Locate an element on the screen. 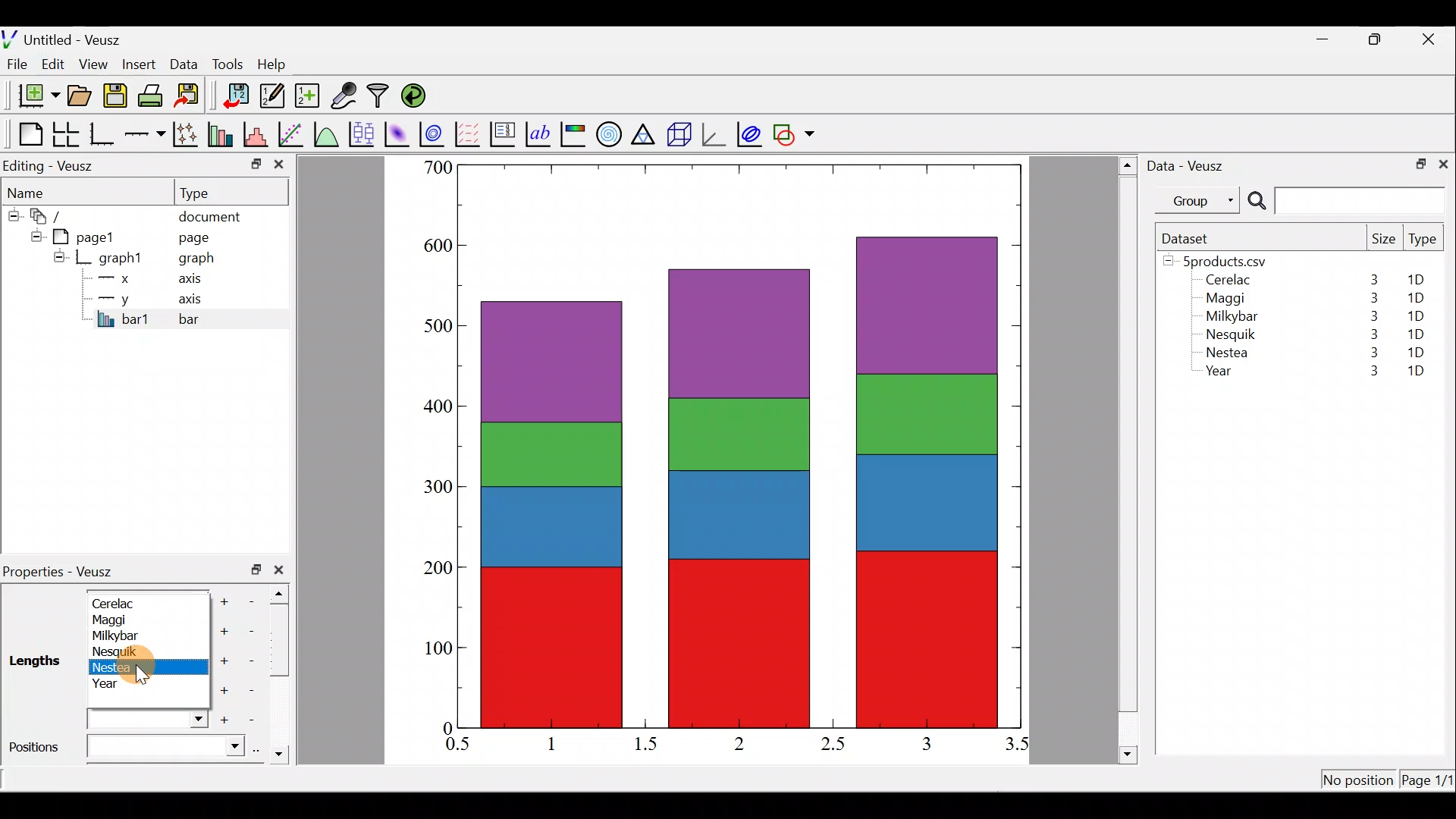 This screenshot has width=1456, height=819. bar chart inserted is located at coordinates (741, 444).